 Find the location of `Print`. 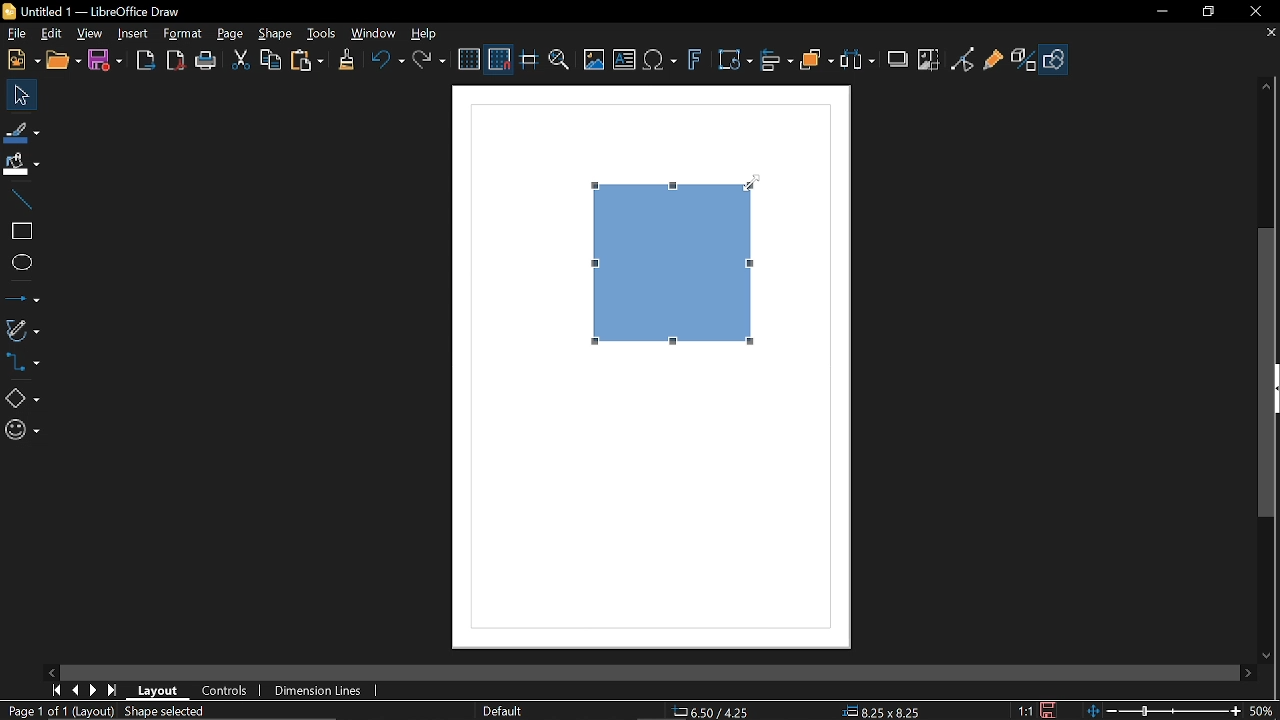

Print is located at coordinates (206, 61).